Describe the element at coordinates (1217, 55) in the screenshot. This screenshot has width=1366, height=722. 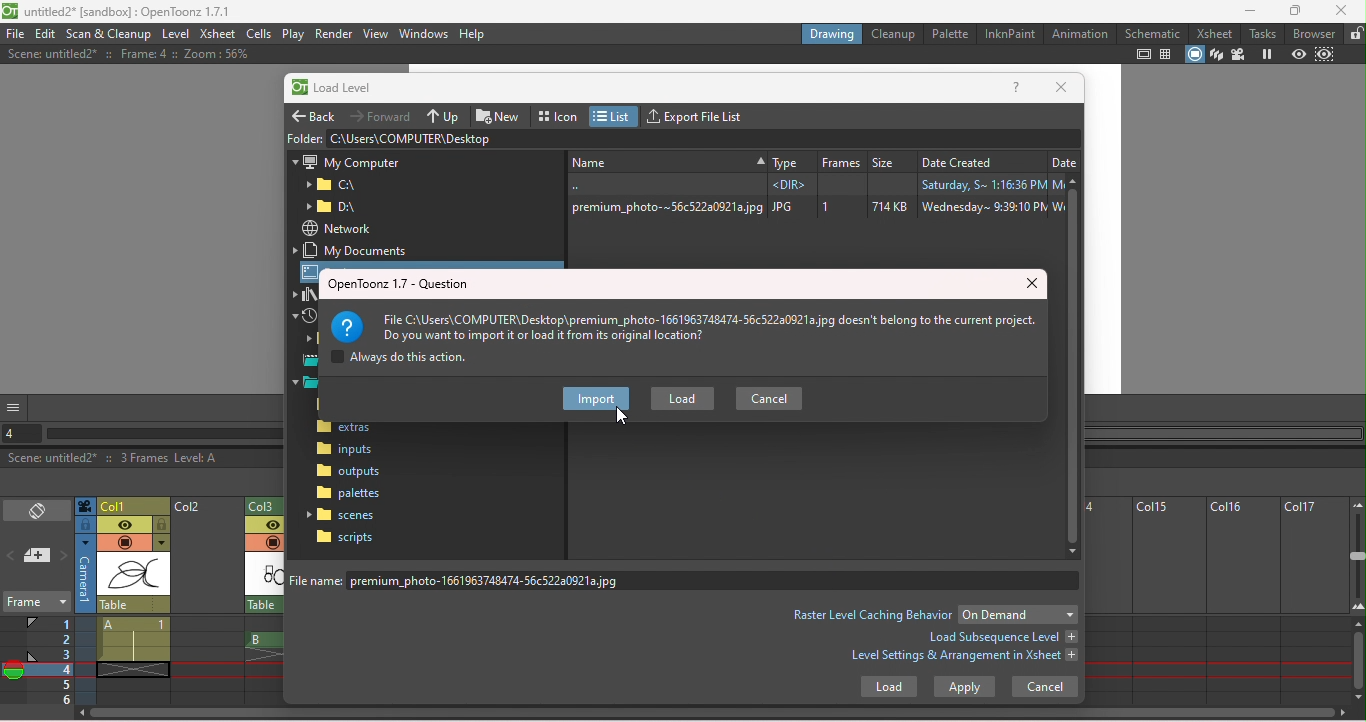
I see `3D view` at that location.